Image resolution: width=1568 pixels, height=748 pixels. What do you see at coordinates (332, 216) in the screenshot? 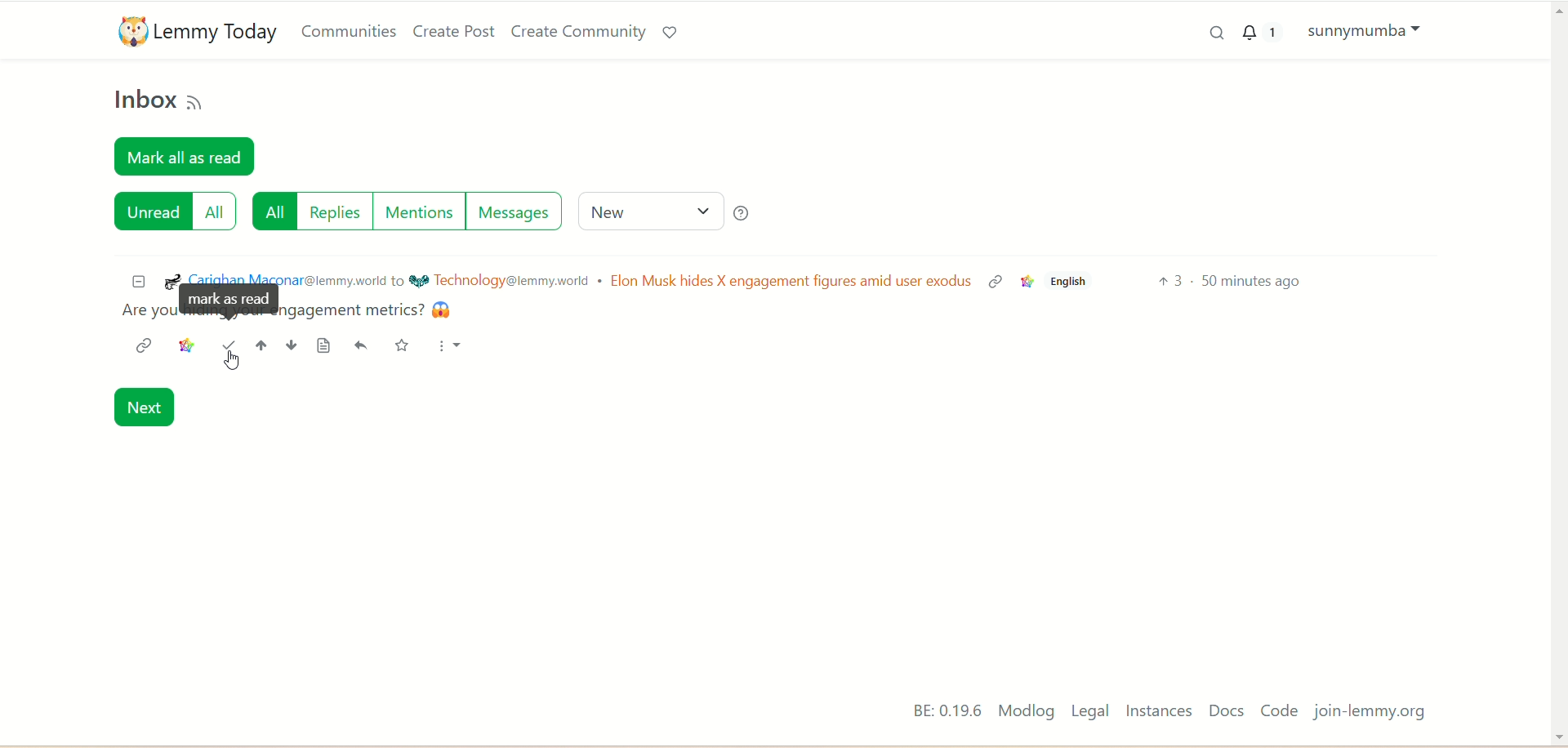
I see `replies` at bounding box center [332, 216].